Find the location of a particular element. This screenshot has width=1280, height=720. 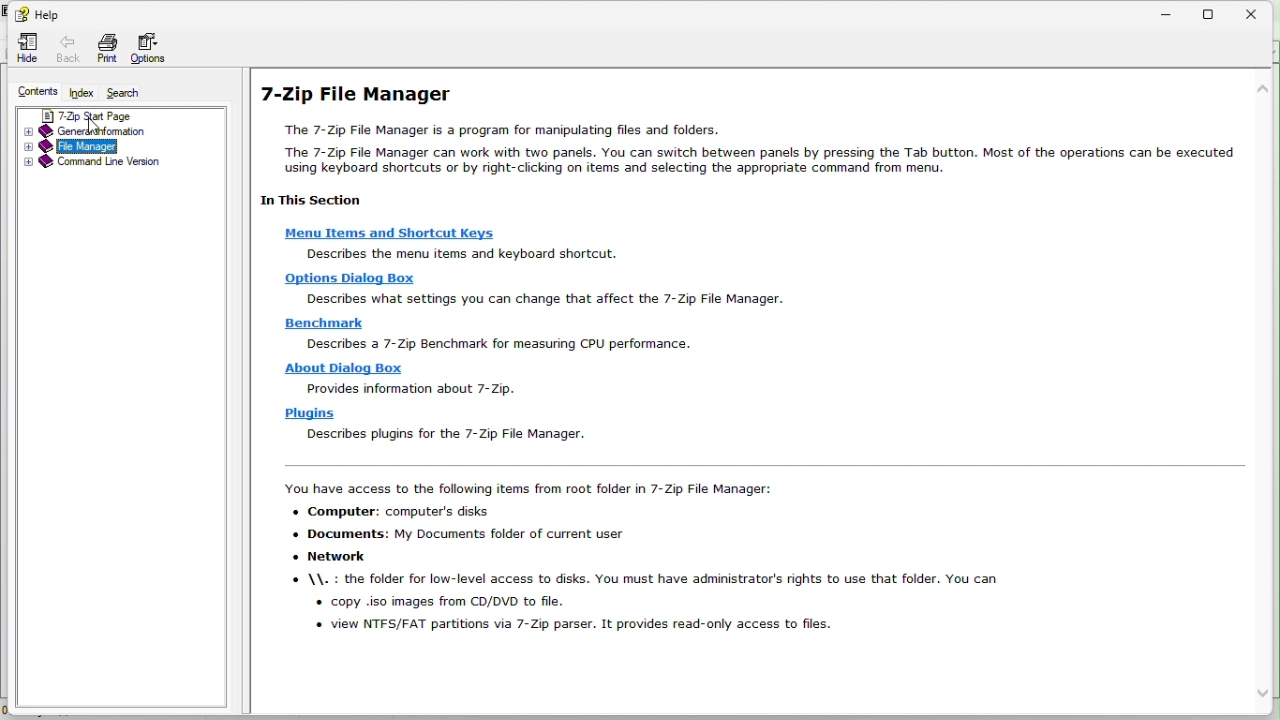

menu items and shortcut keys is located at coordinates (387, 231).